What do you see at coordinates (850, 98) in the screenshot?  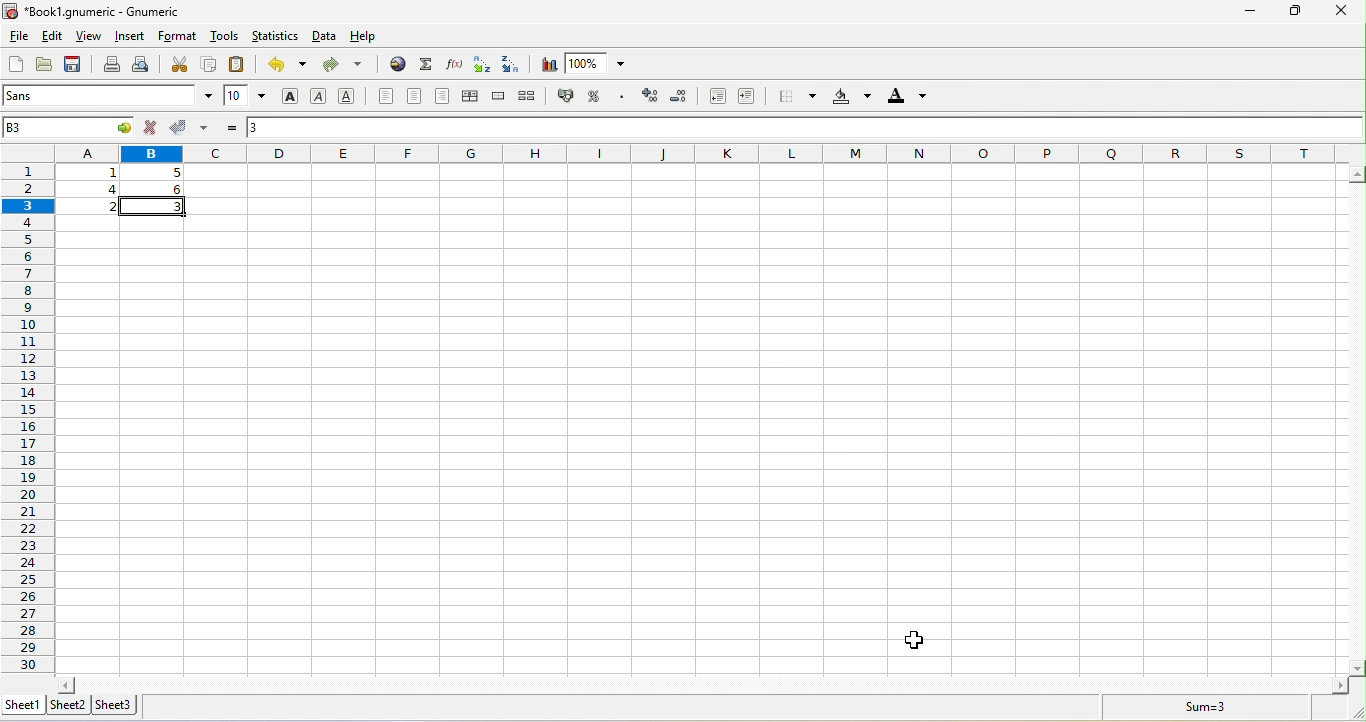 I see `background` at bounding box center [850, 98].